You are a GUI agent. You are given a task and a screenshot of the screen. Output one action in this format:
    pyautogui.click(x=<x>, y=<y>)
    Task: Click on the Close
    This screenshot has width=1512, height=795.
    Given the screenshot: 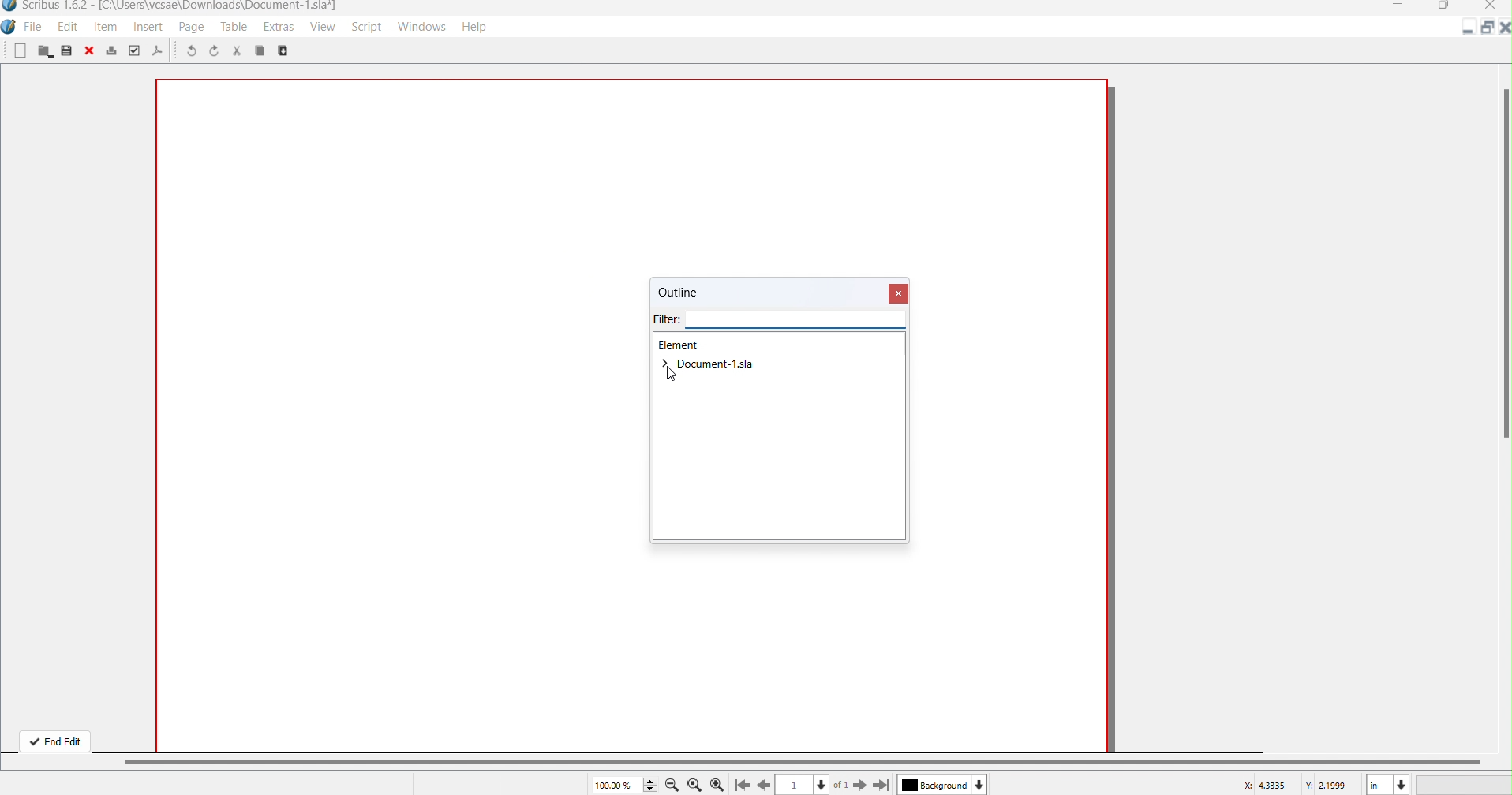 What is the action you would take?
    pyautogui.click(x=900, y=293)
    